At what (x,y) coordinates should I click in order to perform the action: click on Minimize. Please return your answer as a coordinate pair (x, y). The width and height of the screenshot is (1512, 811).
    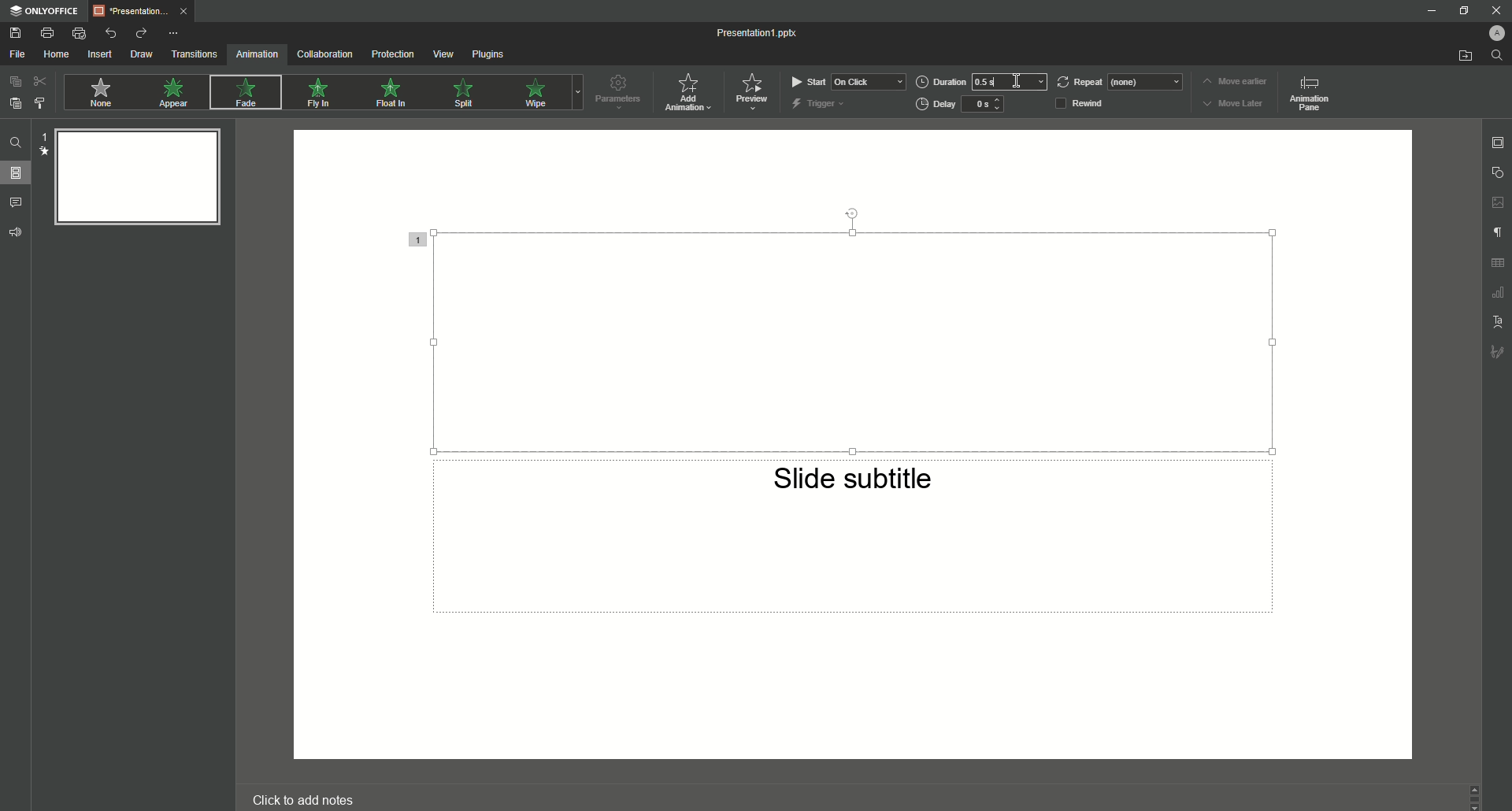
    Looking at the image, I should click on (1434, 11).